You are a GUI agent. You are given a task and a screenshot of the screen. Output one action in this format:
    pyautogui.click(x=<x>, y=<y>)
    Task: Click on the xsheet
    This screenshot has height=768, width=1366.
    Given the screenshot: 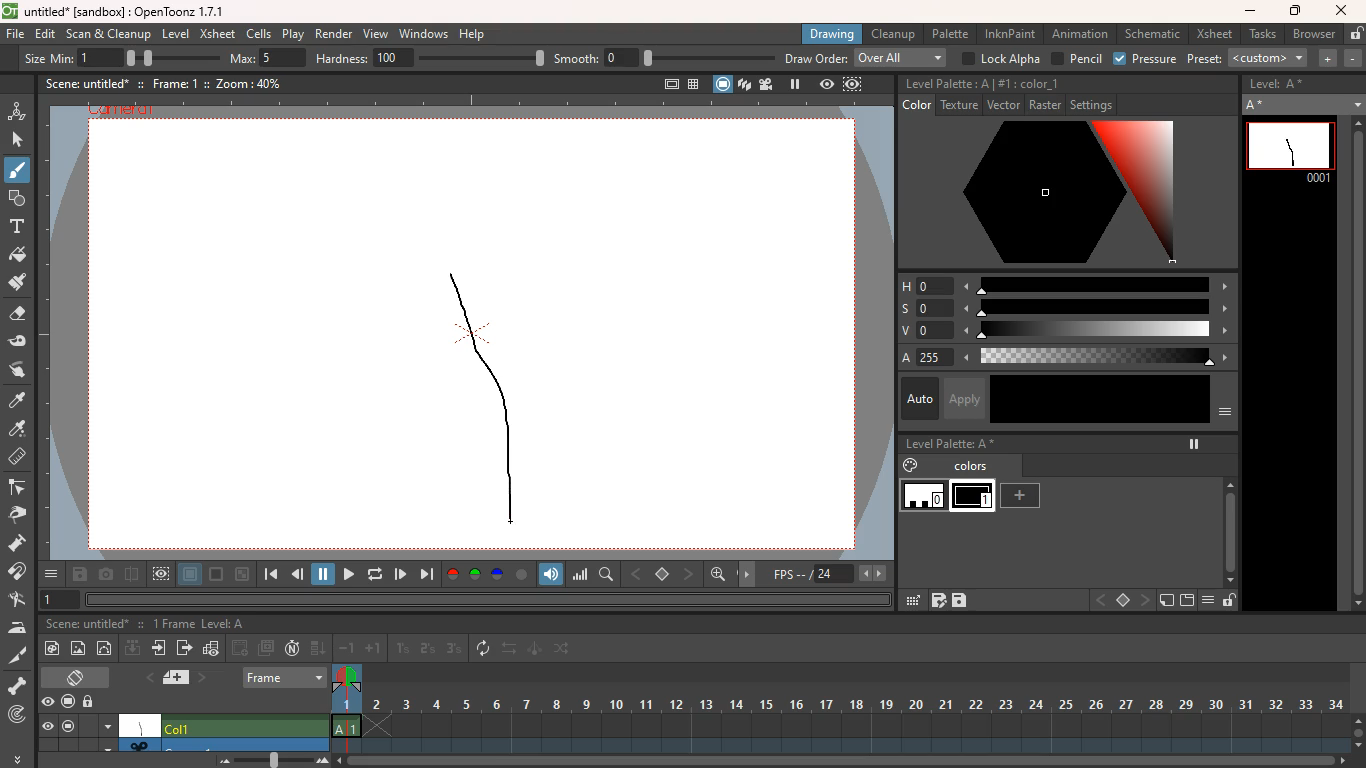 What is the action you would take?
    pyautogui.click(x=1214, y=35)
    